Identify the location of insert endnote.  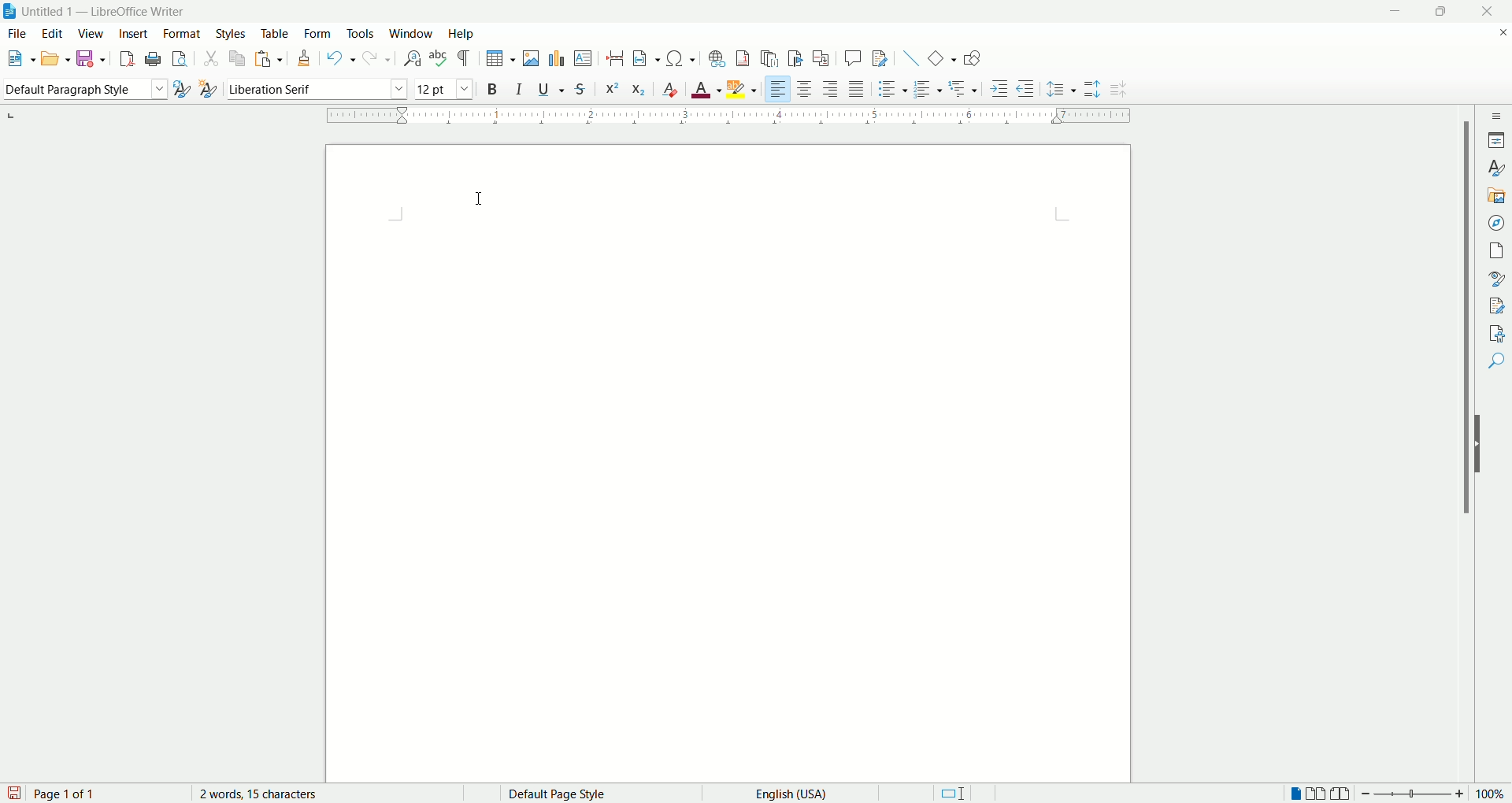
(771, 55).